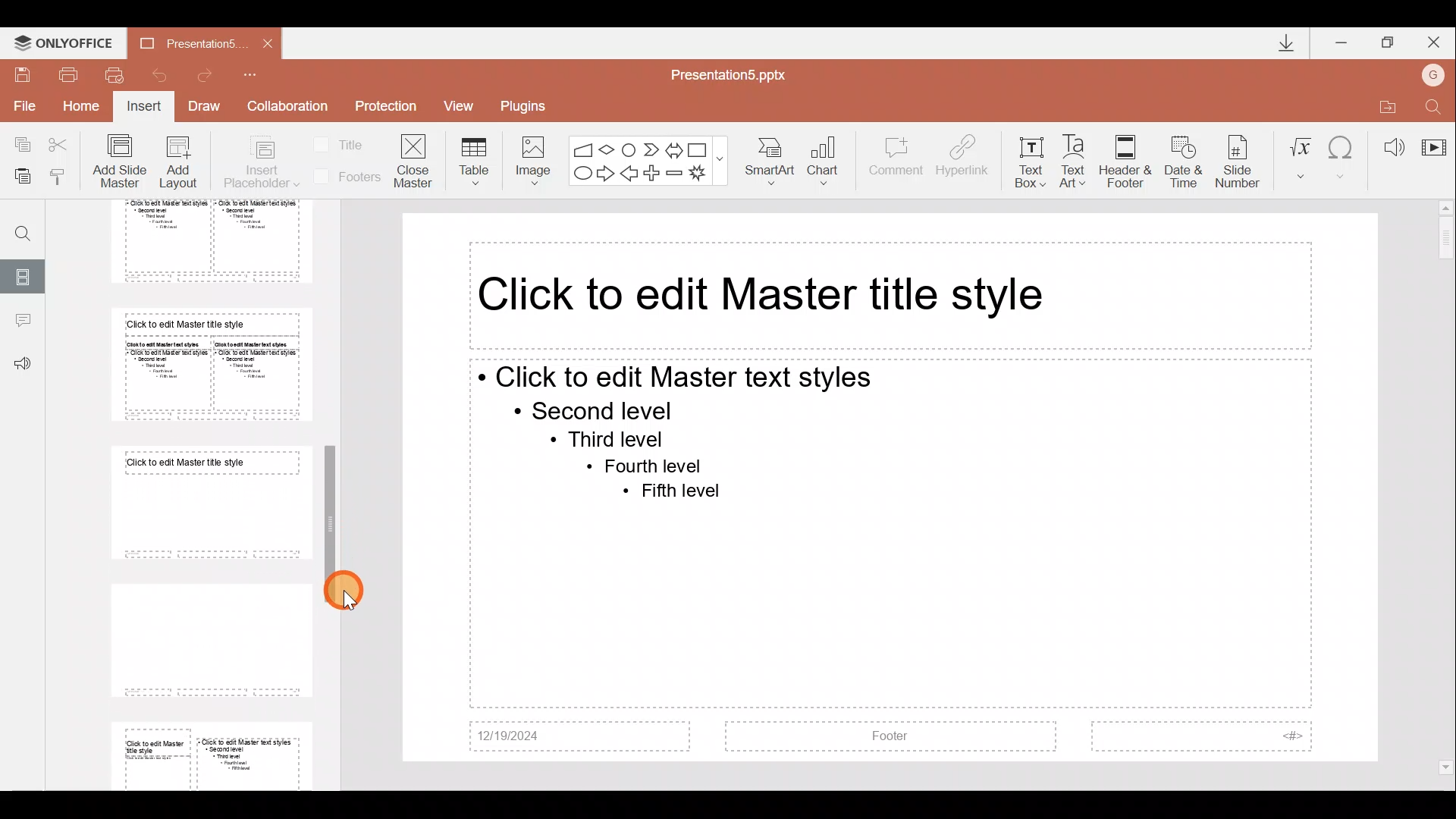 Image resolution: width=1456 pixels, height=819 pixels. Describe the element at coordinates (629, 146) in the screenshot. I see `Flowchart-connector` at that location.